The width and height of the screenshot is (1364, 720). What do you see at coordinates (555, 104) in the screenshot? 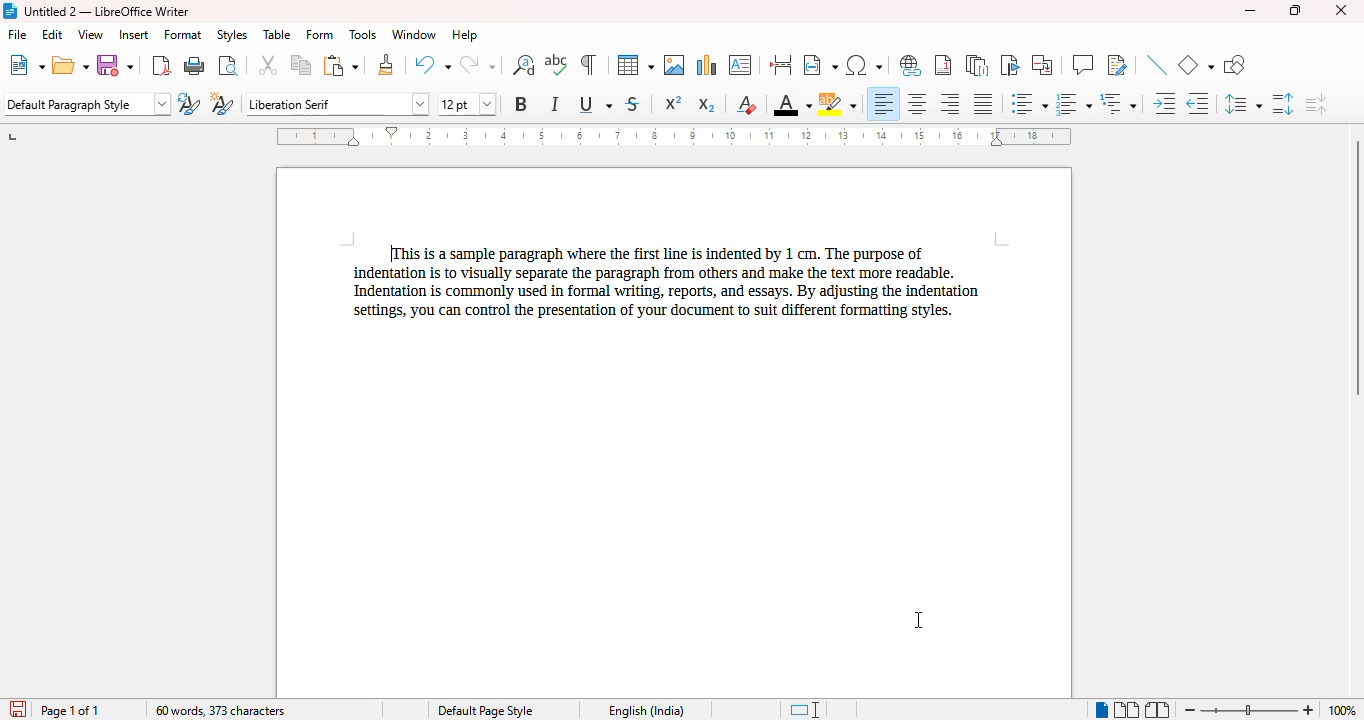
I see `italic` at bounding box center [555, 104].